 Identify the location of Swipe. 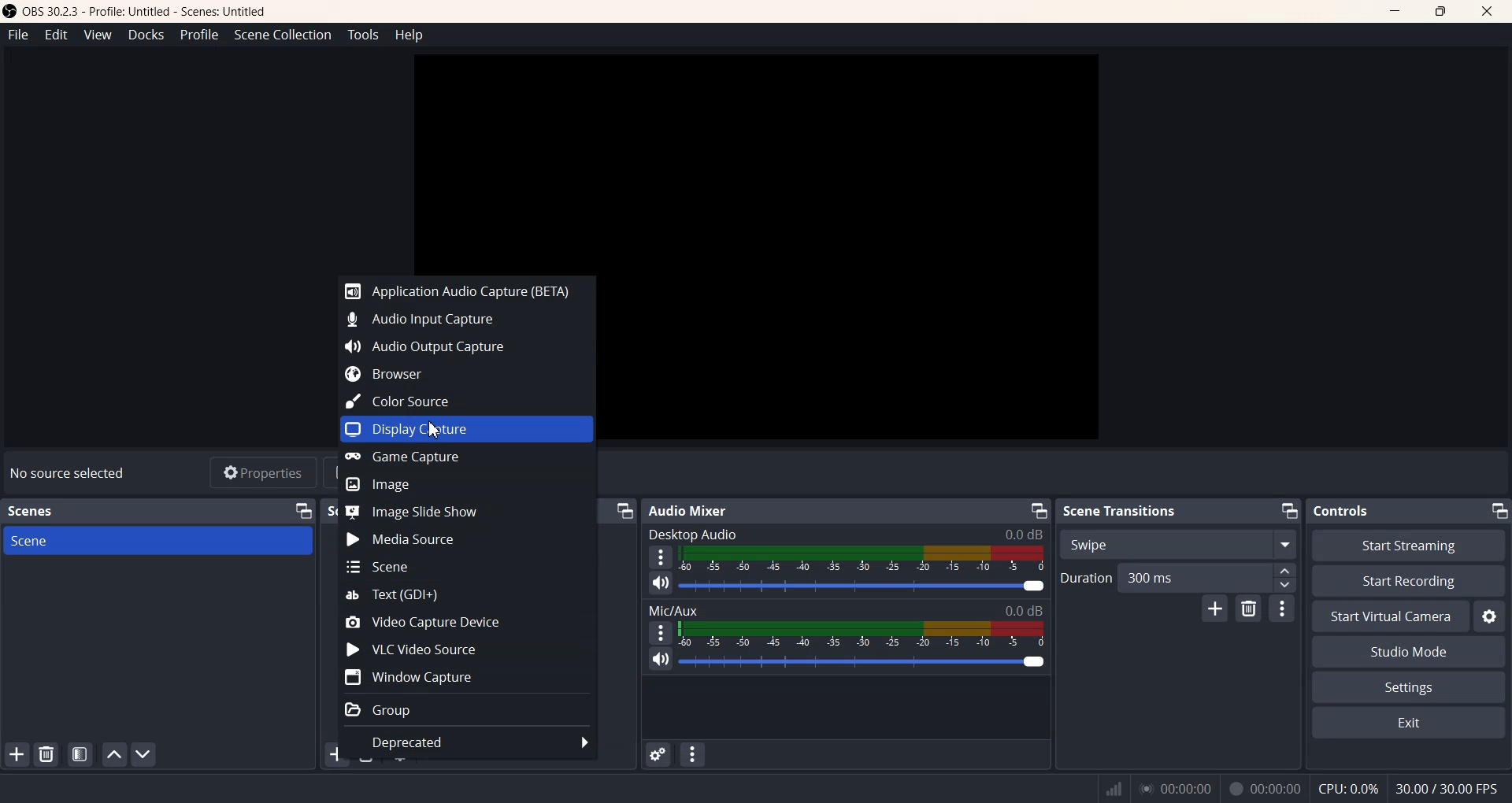
(1179, 543).